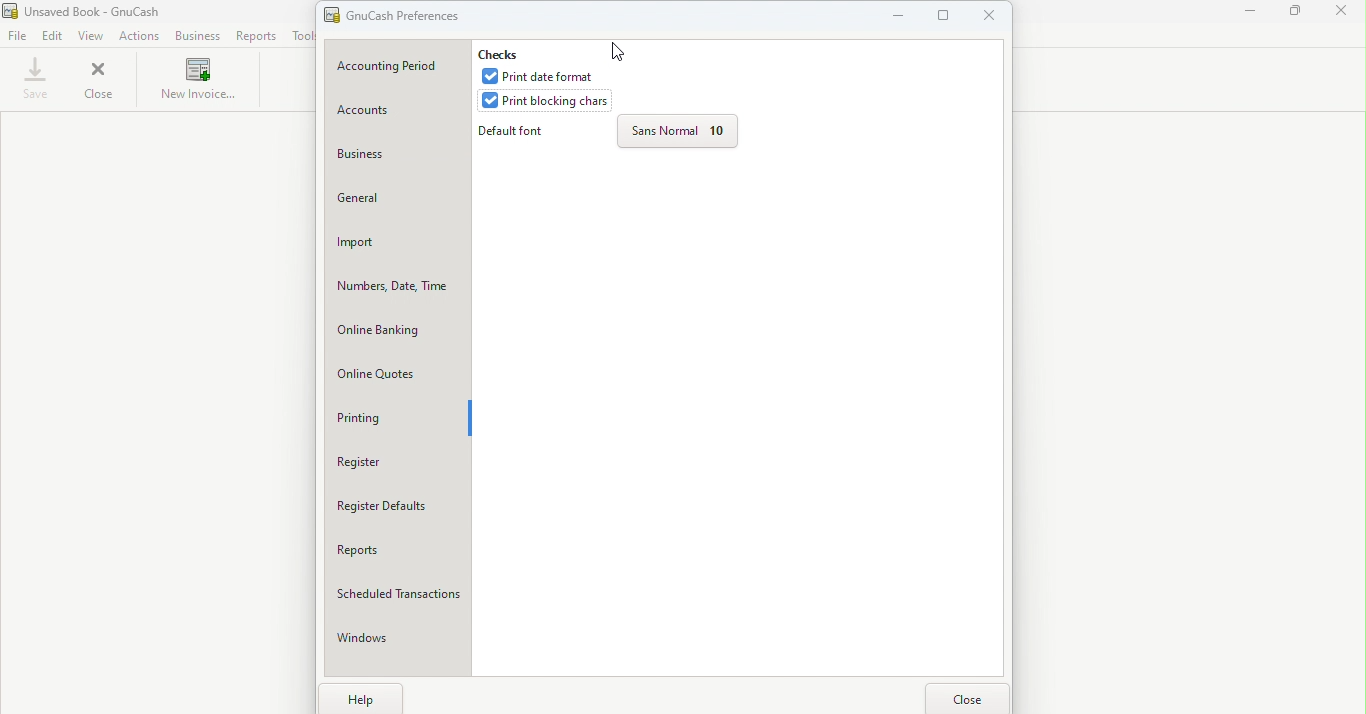  What do you see at coordinates (139, 36) in the screenshot?
I see `Actions` at bounding box center [139, 36].